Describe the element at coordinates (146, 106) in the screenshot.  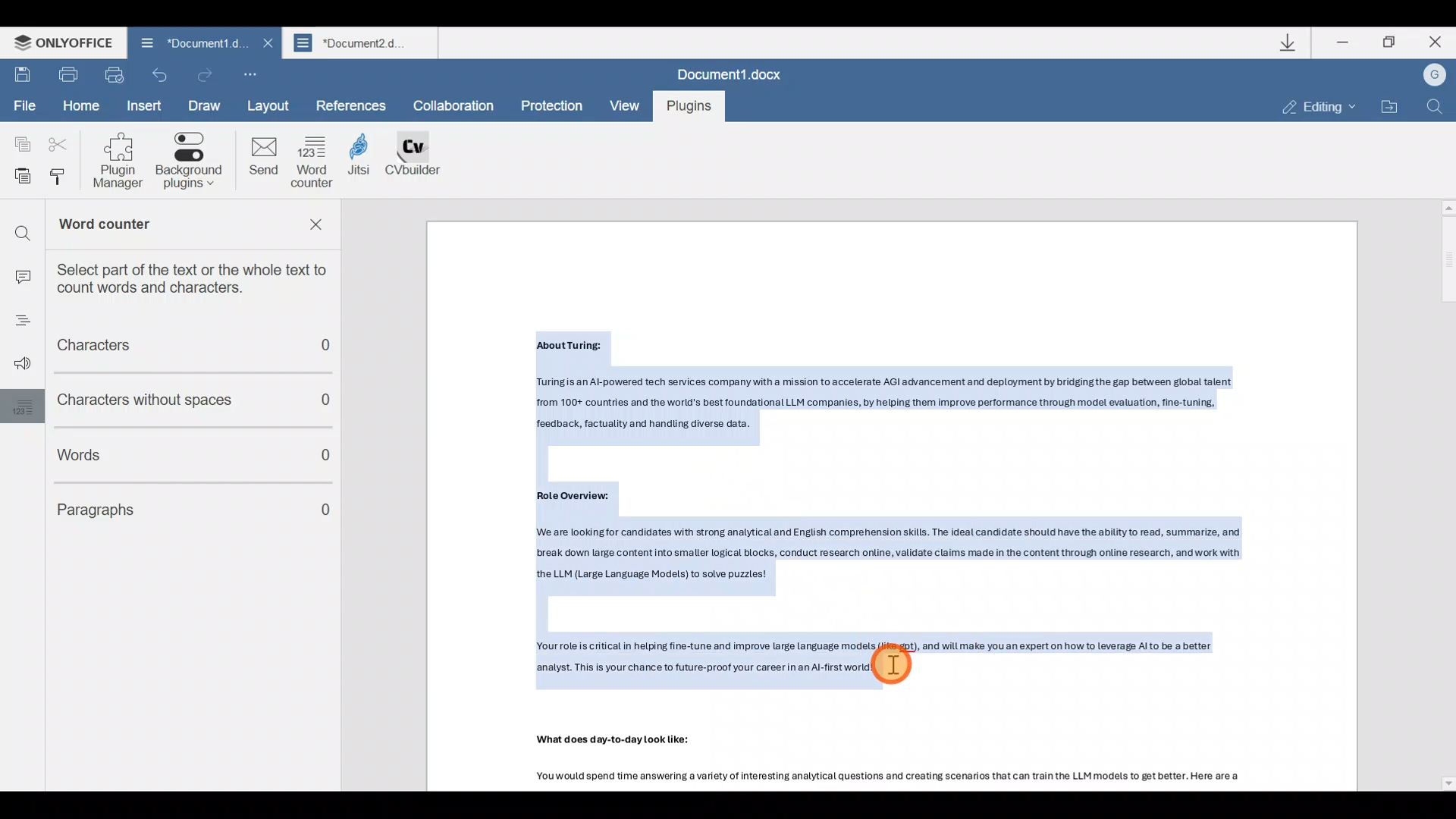
I see `Insert` at that location.